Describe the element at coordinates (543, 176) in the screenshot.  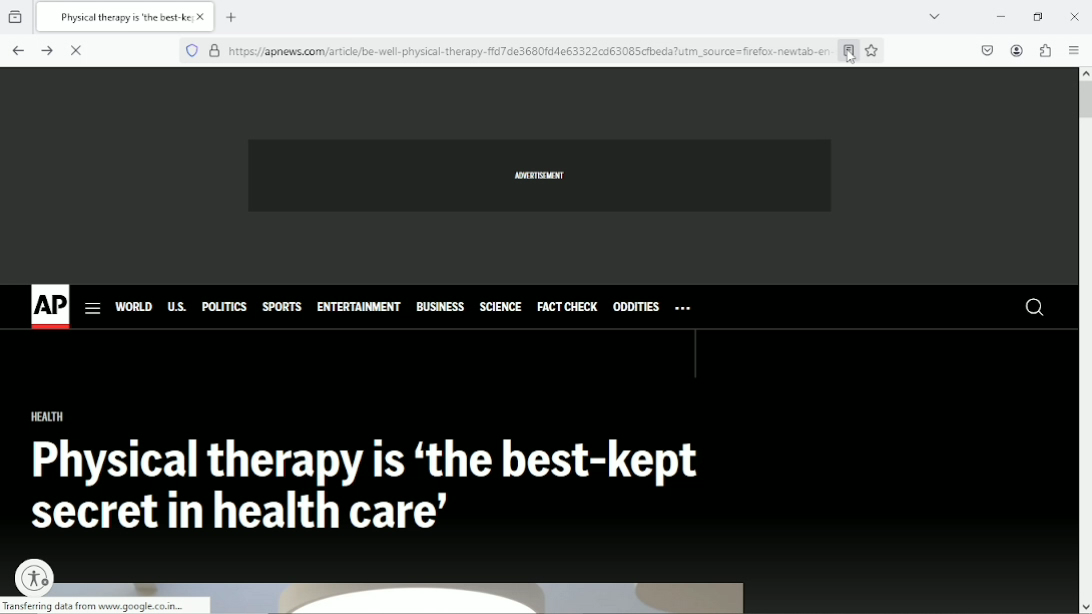
I see `advertisement` at that location.